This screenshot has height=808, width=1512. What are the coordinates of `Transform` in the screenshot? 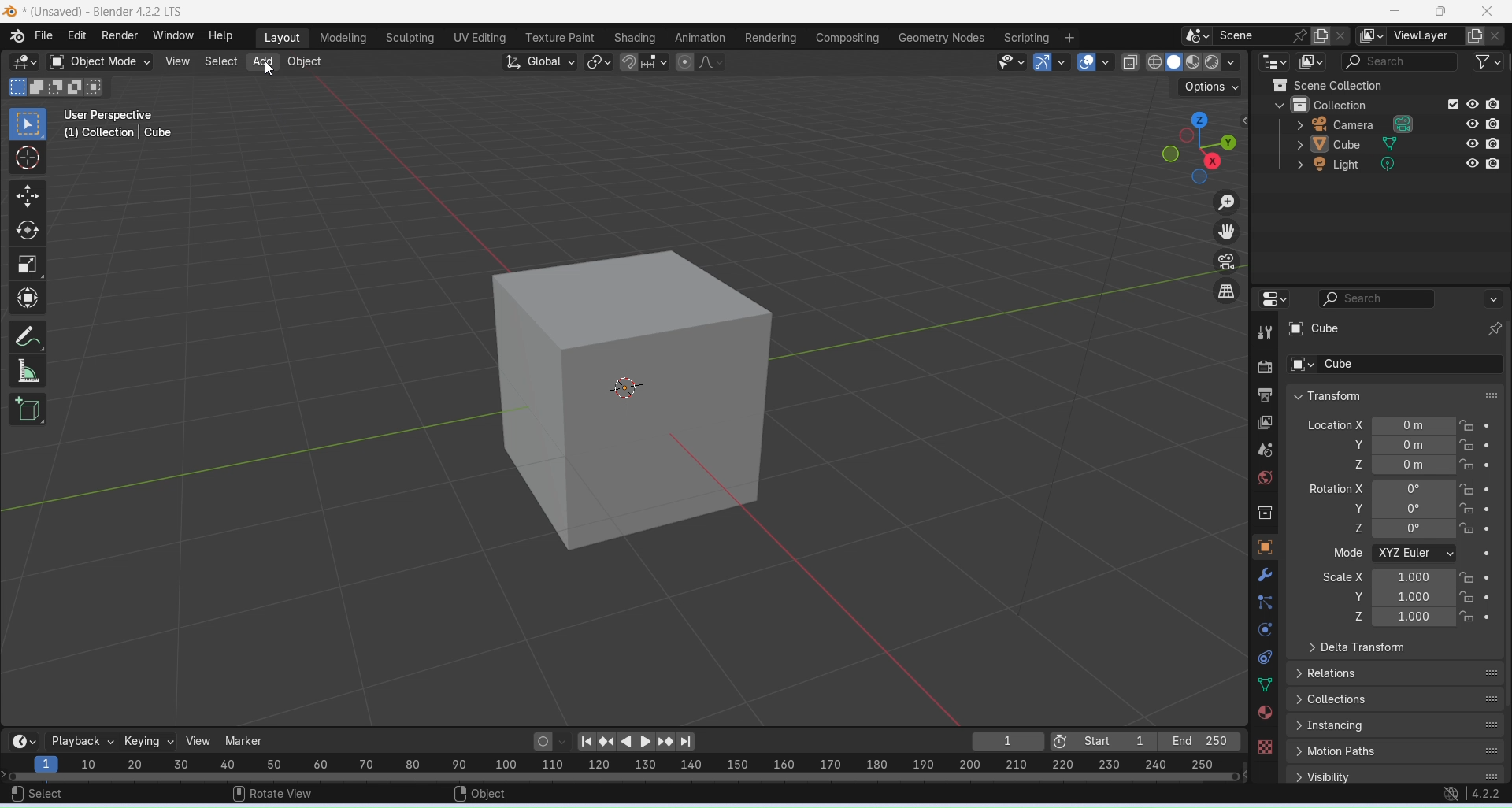 It's located at (28, 298).